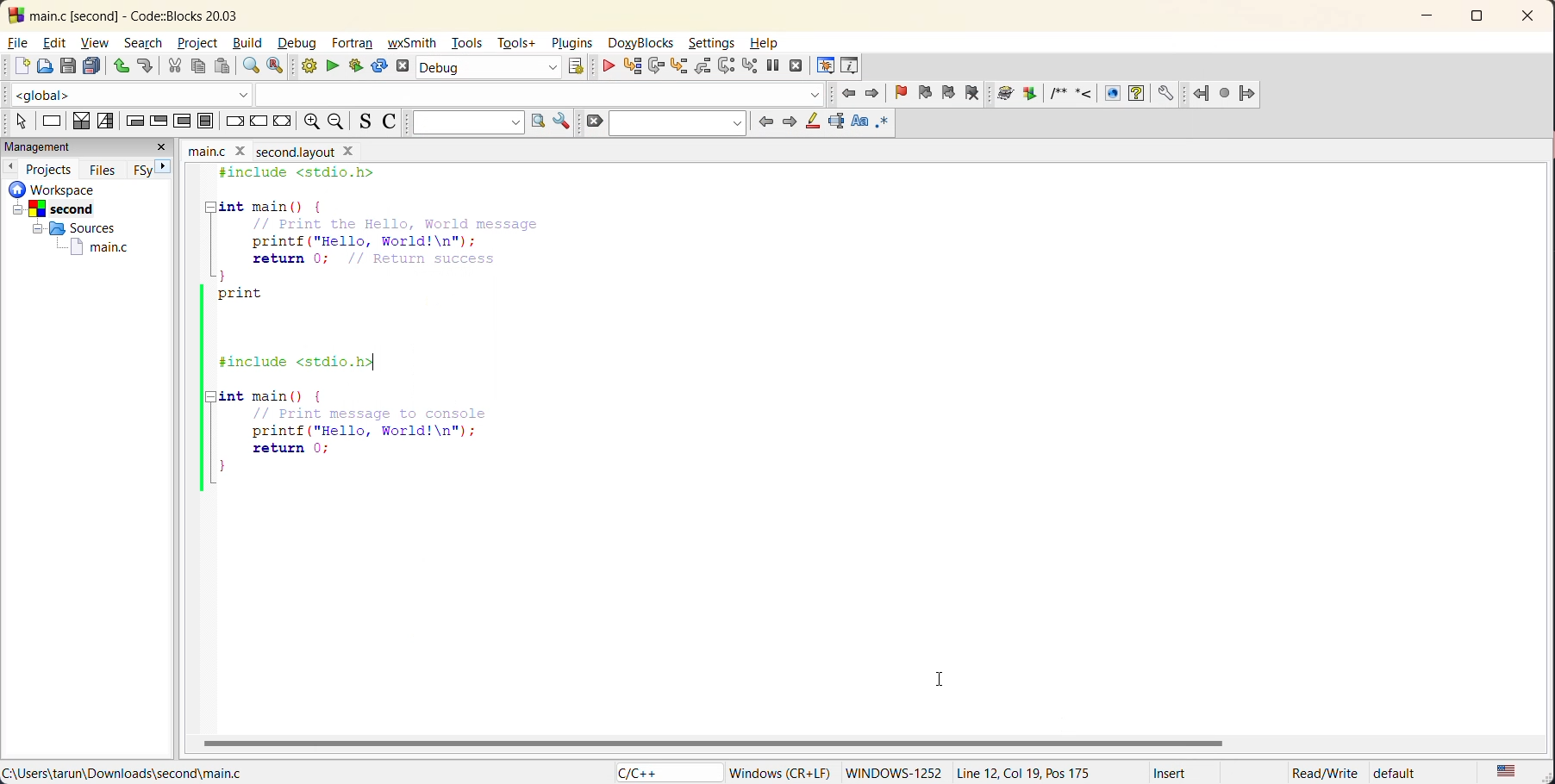 This screenshot has height=784, width=1555. I want to click on next, so click(164, 167).